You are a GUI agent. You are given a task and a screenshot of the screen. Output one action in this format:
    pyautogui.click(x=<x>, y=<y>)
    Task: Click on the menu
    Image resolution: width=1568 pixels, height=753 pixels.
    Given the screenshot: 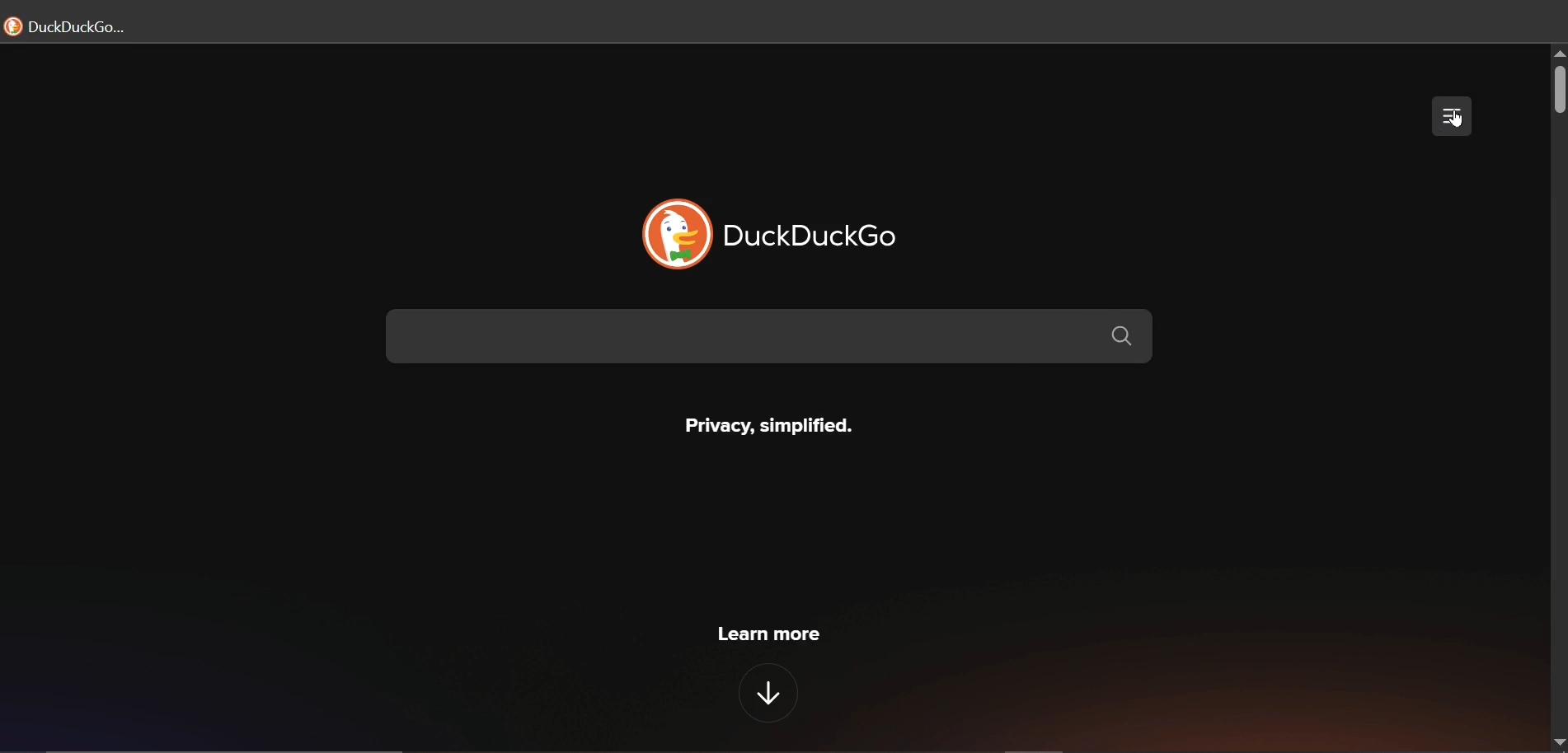 What is the action you would take?
    pyautogui.click(x=1445, y=112)
    